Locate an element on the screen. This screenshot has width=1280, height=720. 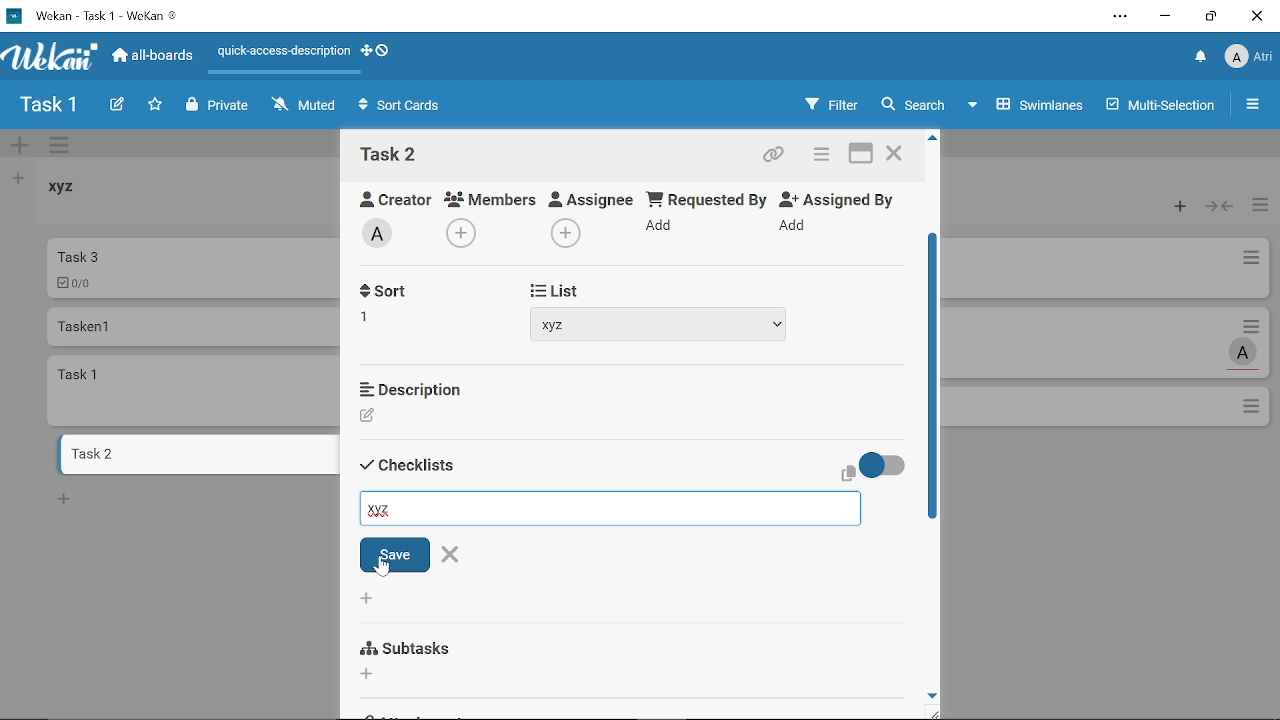
Board name is located at coordinates (48, 105).